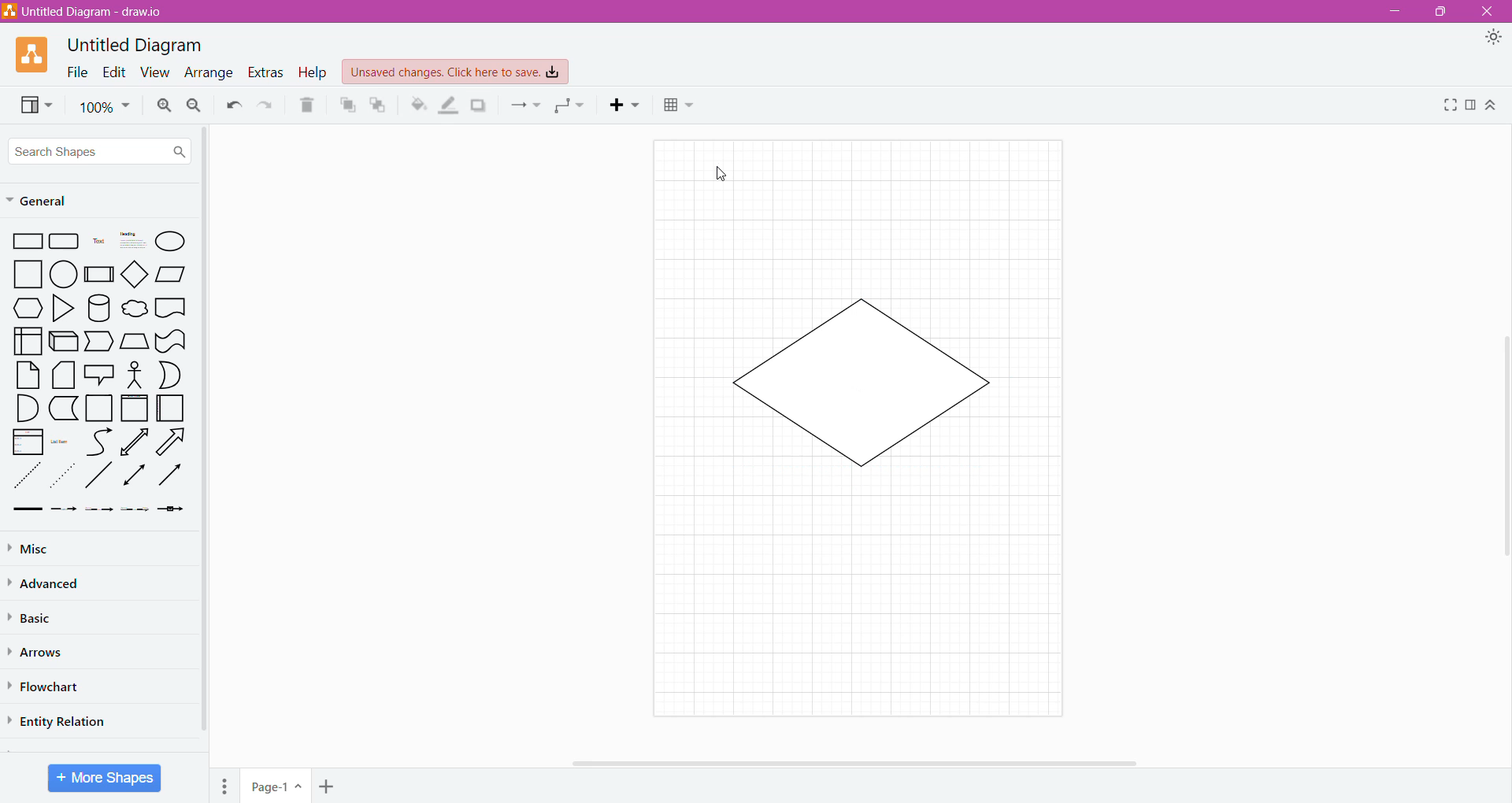 This screenshot has height=803, width=1512. I want to click on Circle, so click(65, 275).